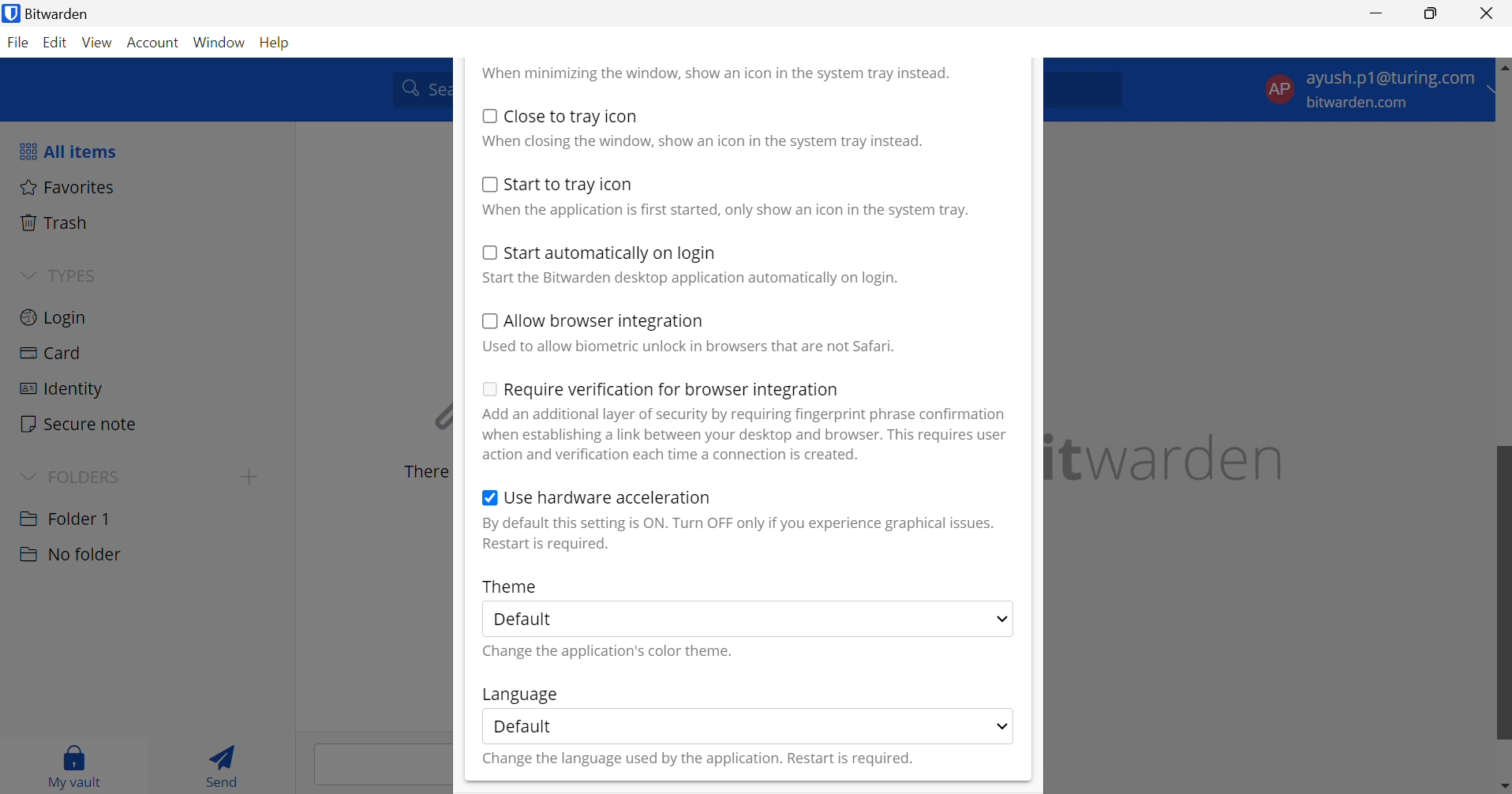 This screenshot has width=1512, height=794. What do you see at coordinates (66, 151) in the screenshot?
I see `All items` at bounding box center [66, 151].